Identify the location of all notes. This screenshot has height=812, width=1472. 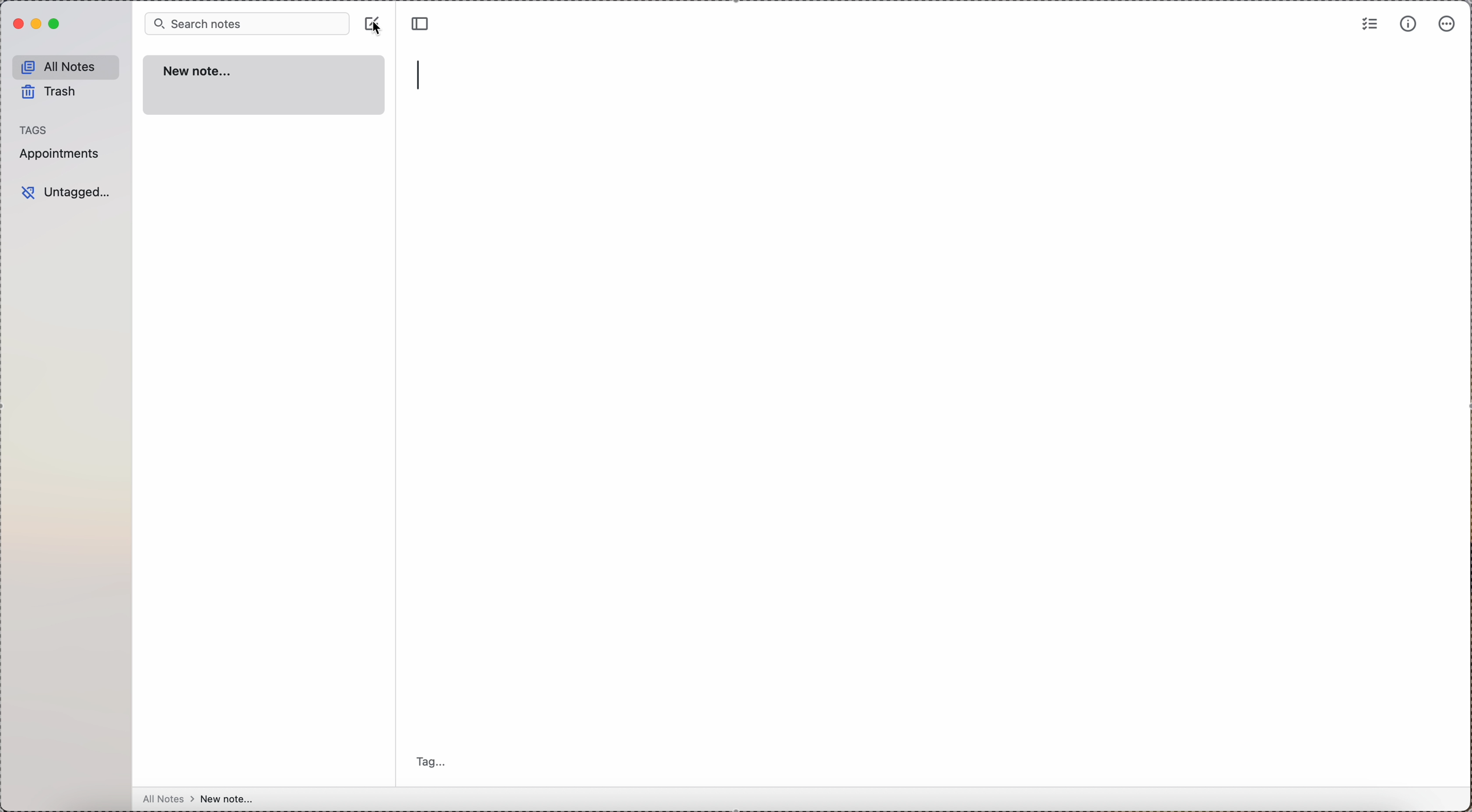
(66, 65).